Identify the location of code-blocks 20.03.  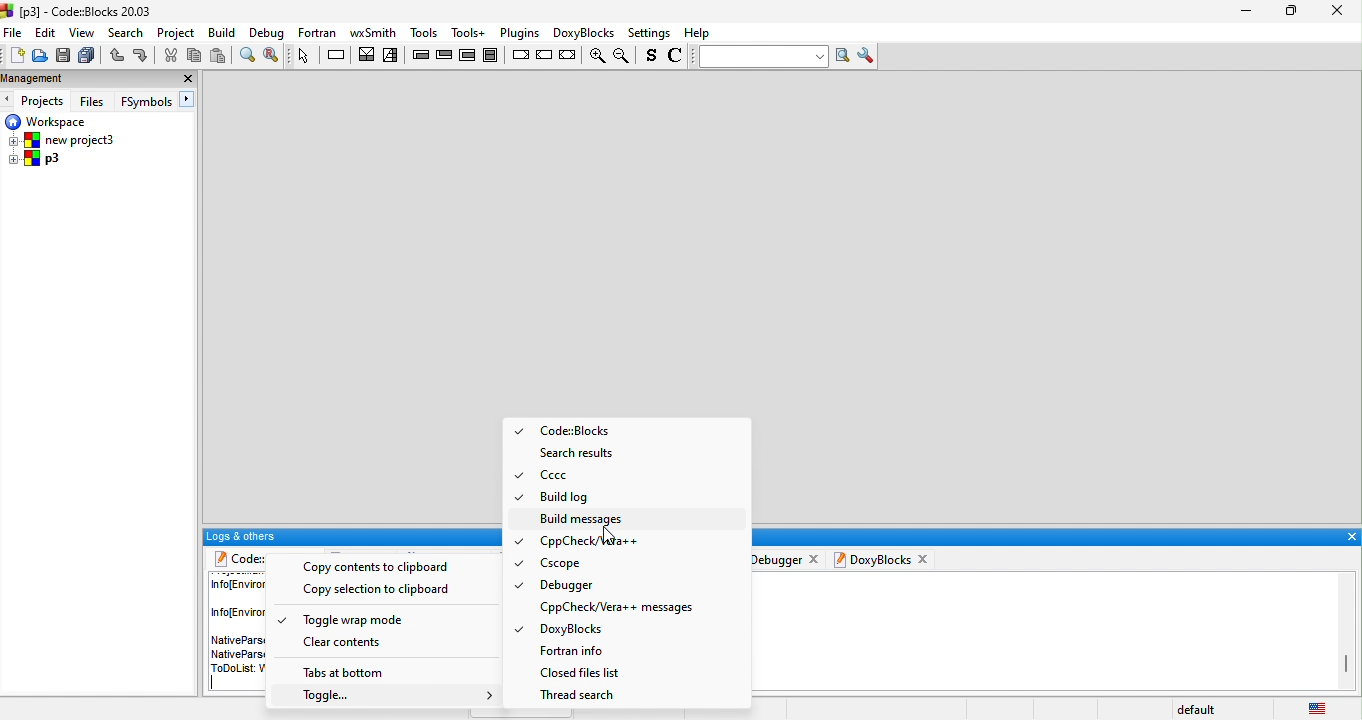
(78, 10).